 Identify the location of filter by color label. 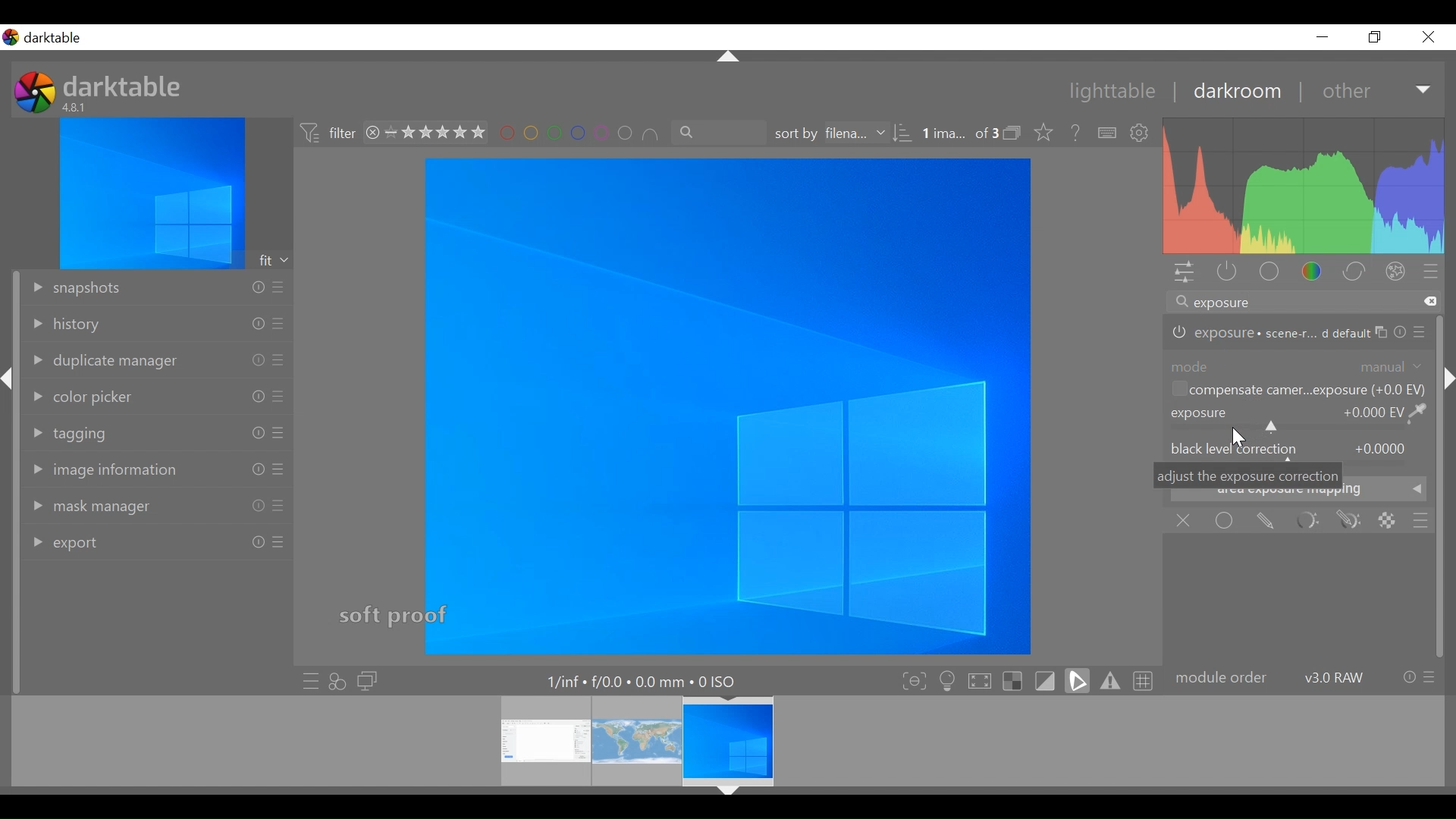
(577, 133).